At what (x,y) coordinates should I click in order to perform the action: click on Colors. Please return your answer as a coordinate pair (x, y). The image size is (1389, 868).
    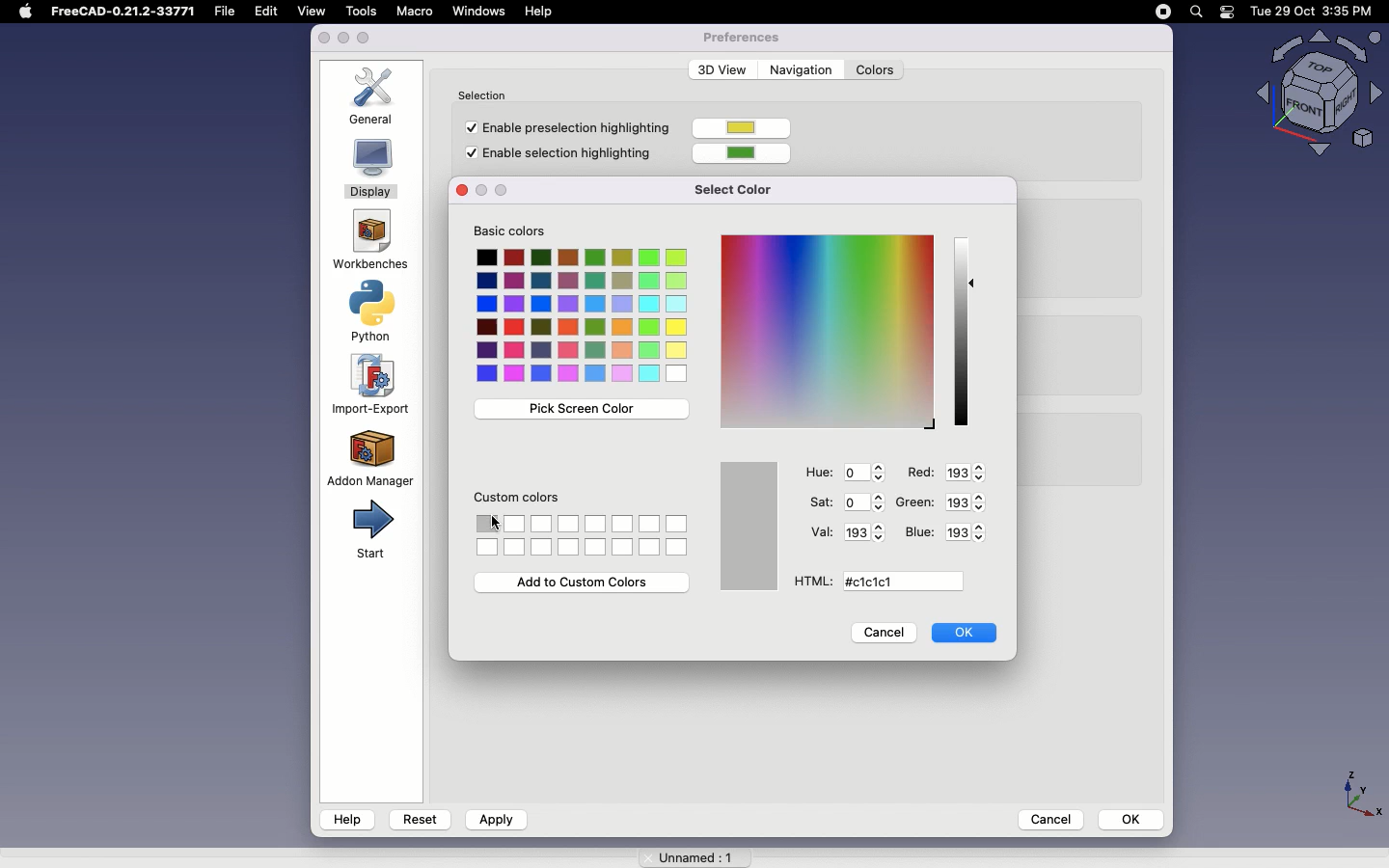
    Looking at the image, I should click on (586, 533).